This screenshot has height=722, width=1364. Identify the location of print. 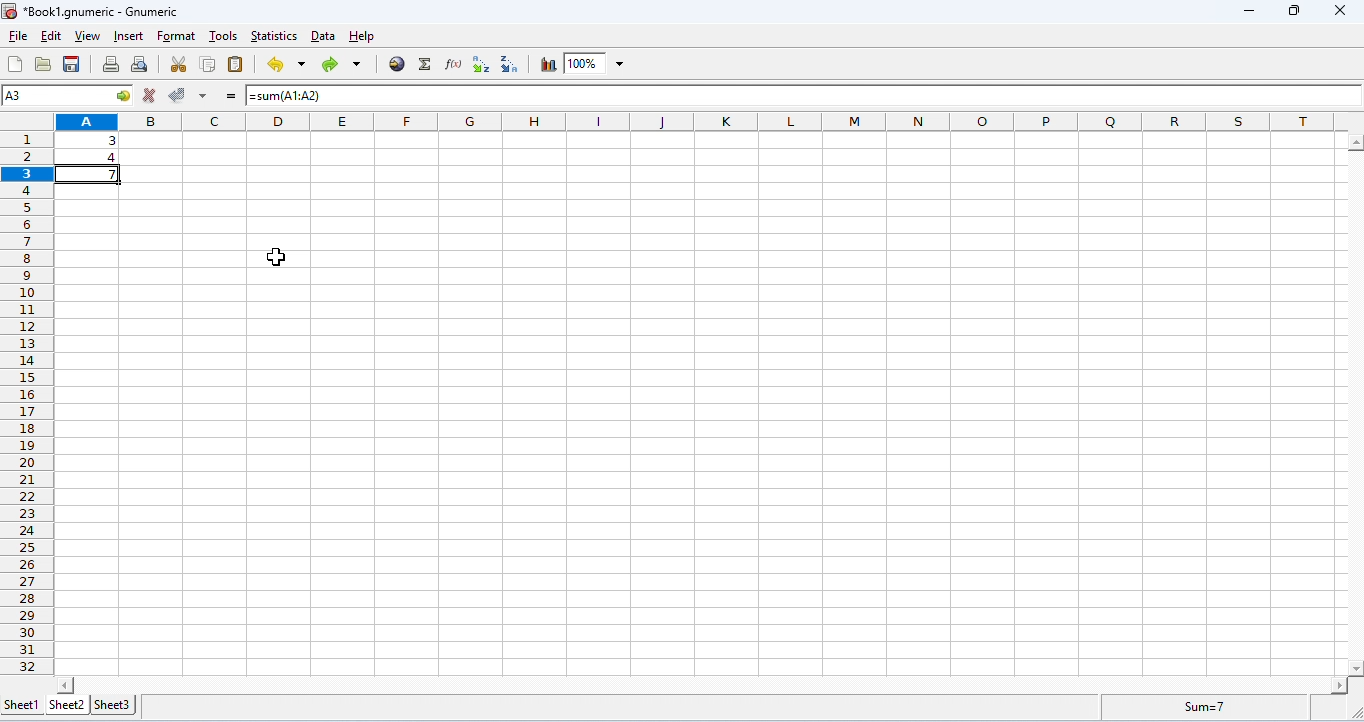
(112, 65).